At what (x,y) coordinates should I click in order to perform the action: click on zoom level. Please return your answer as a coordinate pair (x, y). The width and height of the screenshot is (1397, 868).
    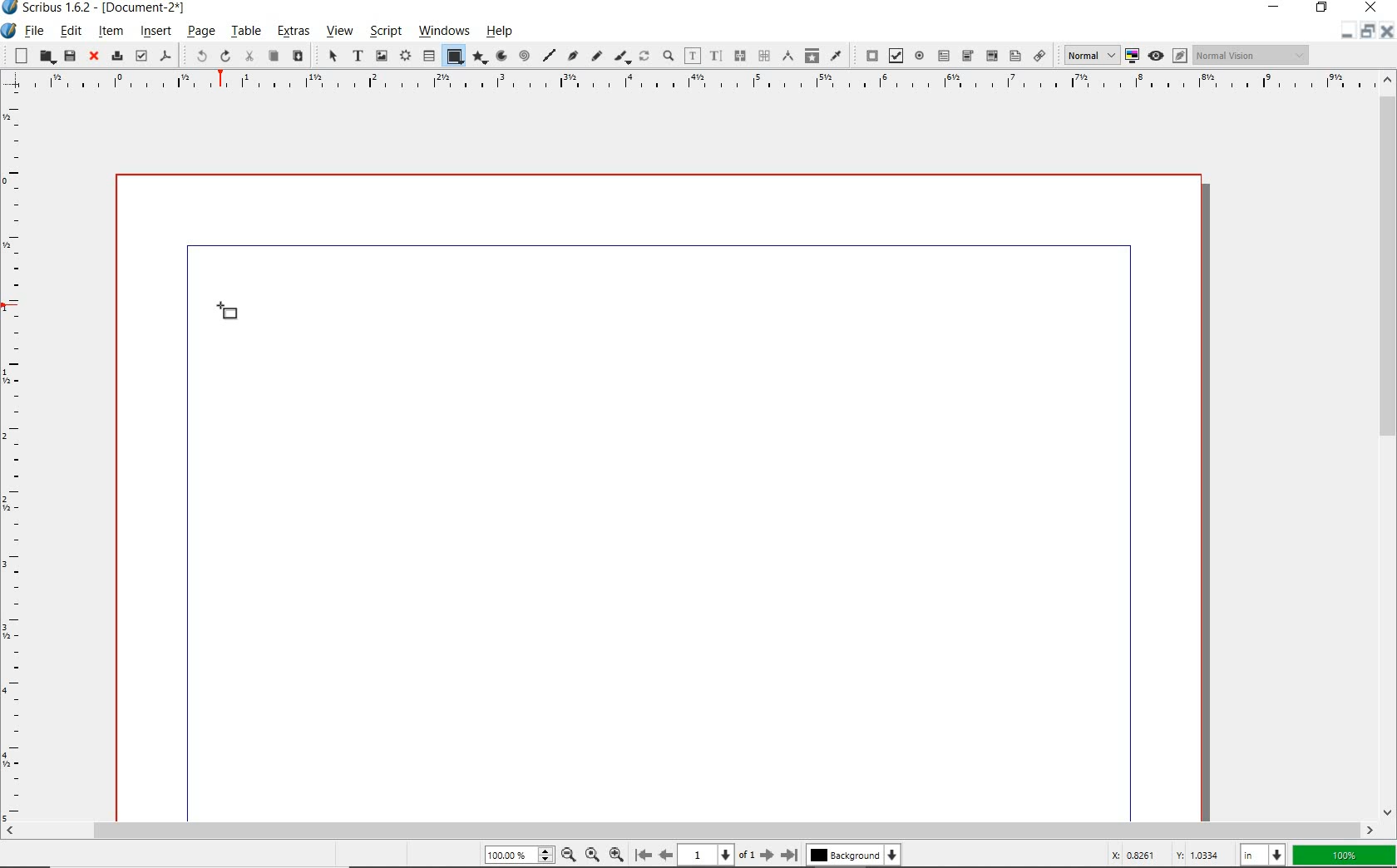
    Looking at the image, I should click on (519, 853).